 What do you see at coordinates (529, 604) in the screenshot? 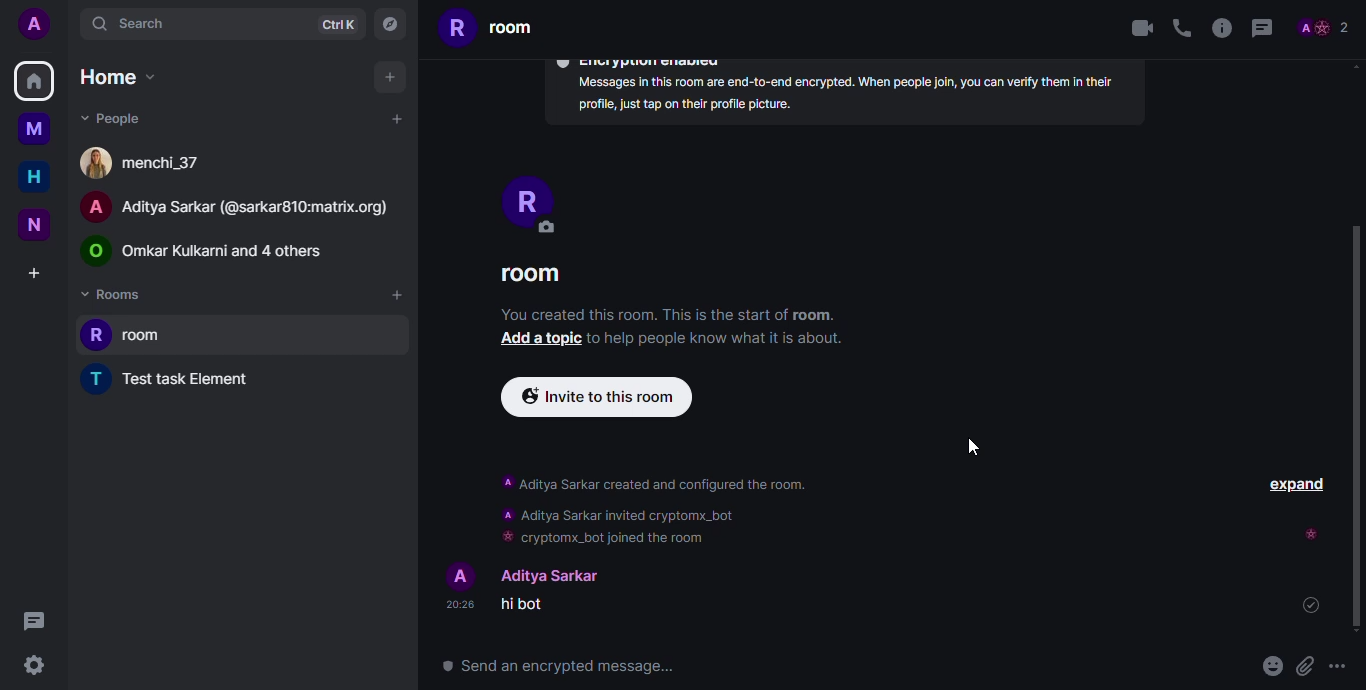
I see `hi bot` at bounding box center [529, 604].